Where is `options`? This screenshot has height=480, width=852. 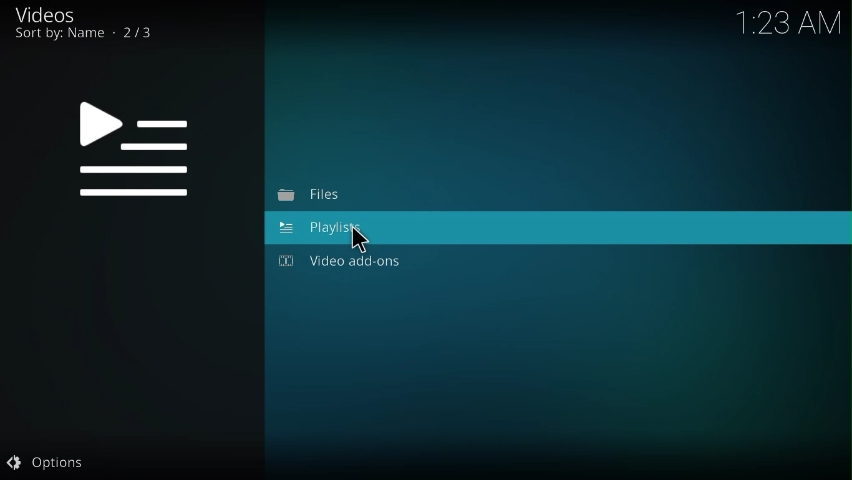 options is located at coordinates (47, 463).